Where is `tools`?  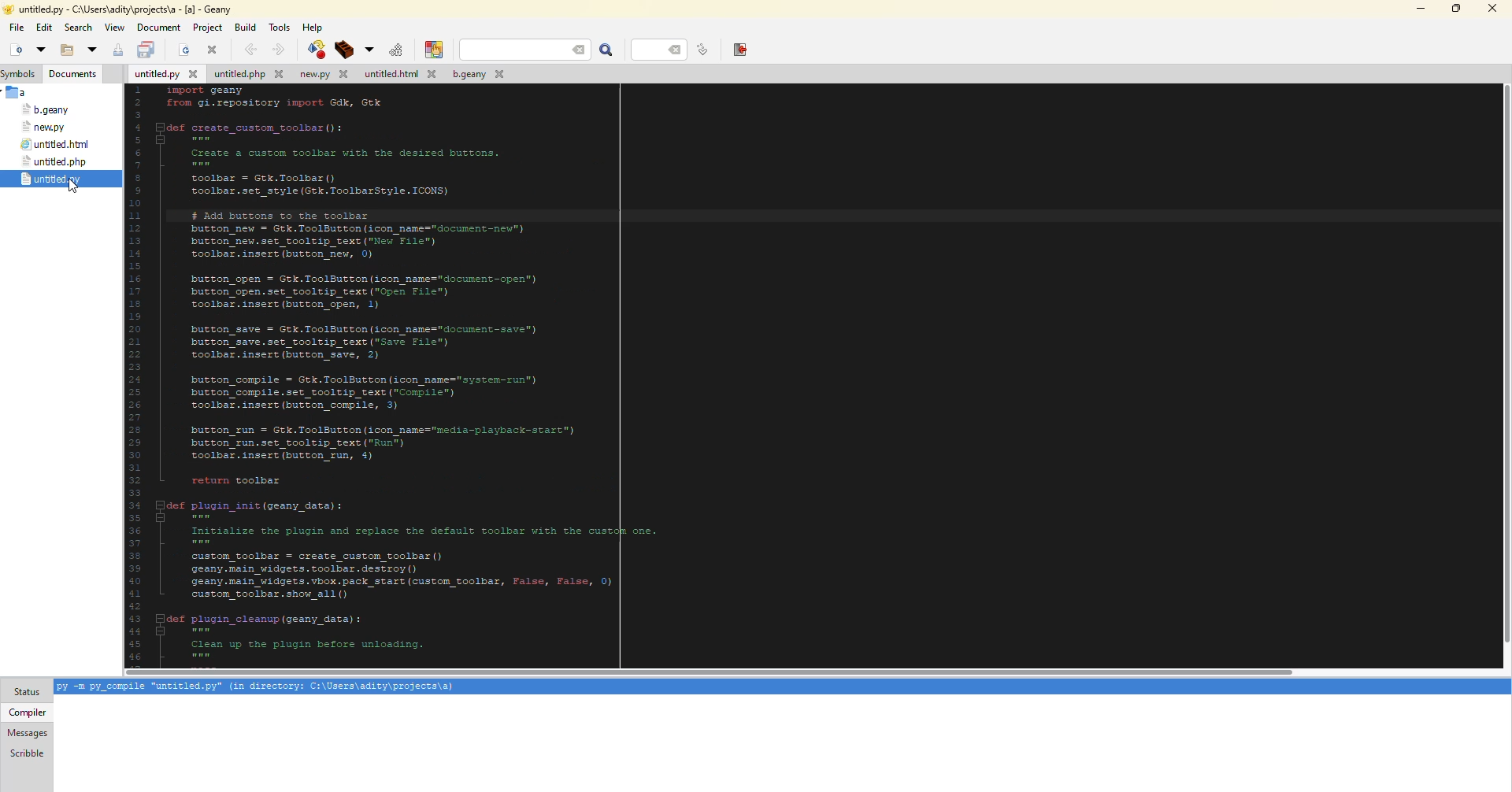 tools is located at coordinates (280, 28).